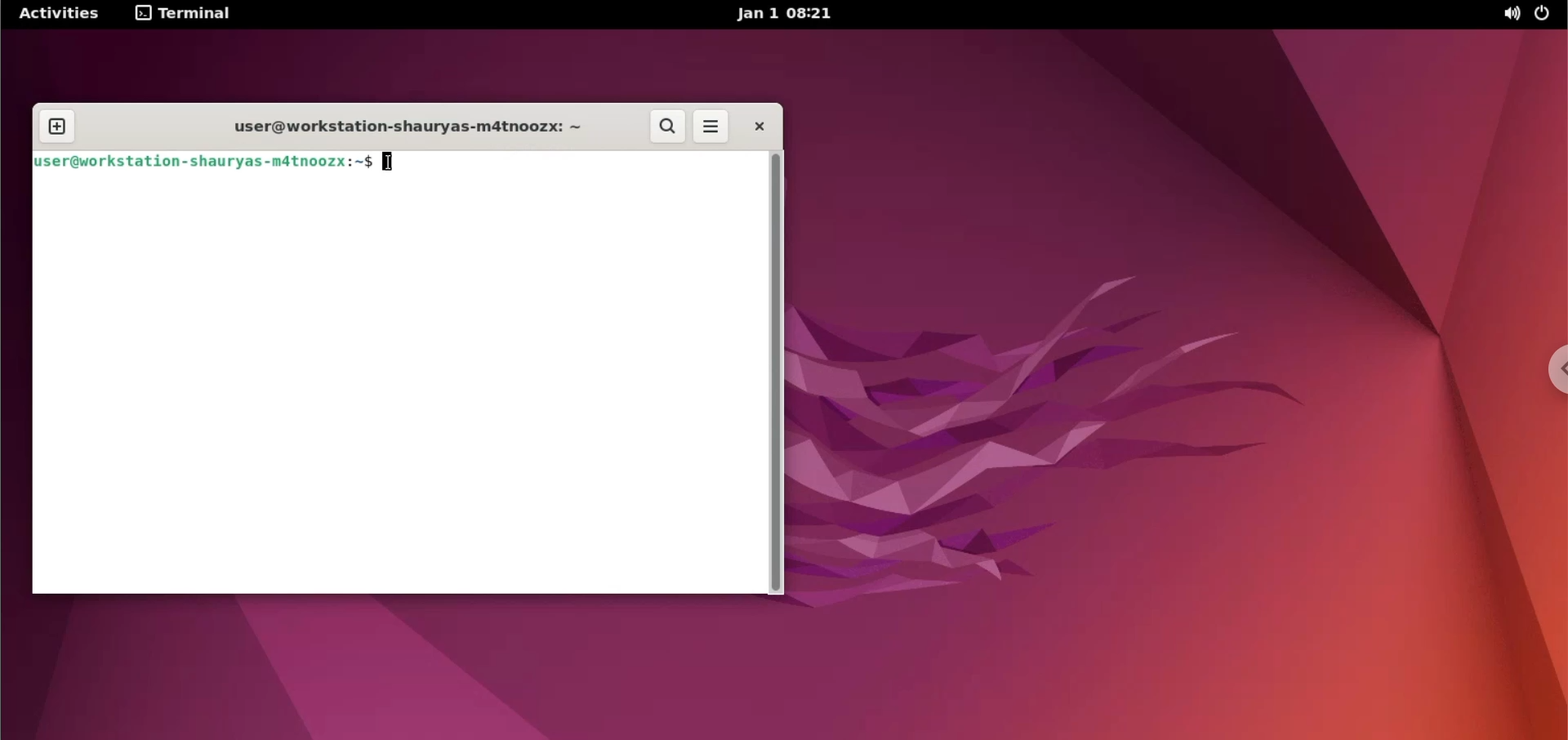  Describe the element at coordinates (203, 163) in the screenshot. I see `user@workstation-shauryas-m4tnoozx:~$` at that location.